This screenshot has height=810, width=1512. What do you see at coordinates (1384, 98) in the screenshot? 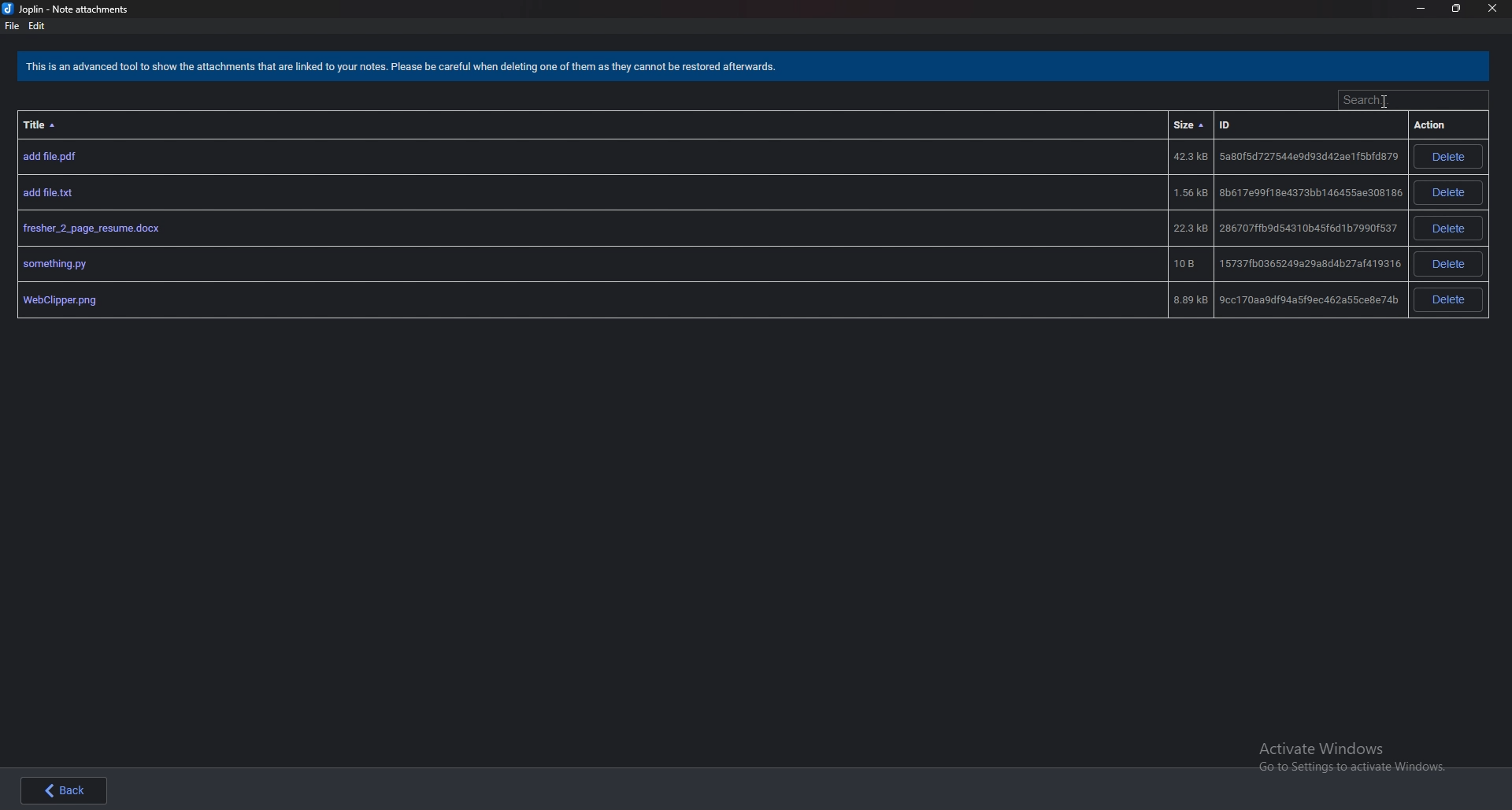
I see `cursor` at bounding box center [1384, 98].